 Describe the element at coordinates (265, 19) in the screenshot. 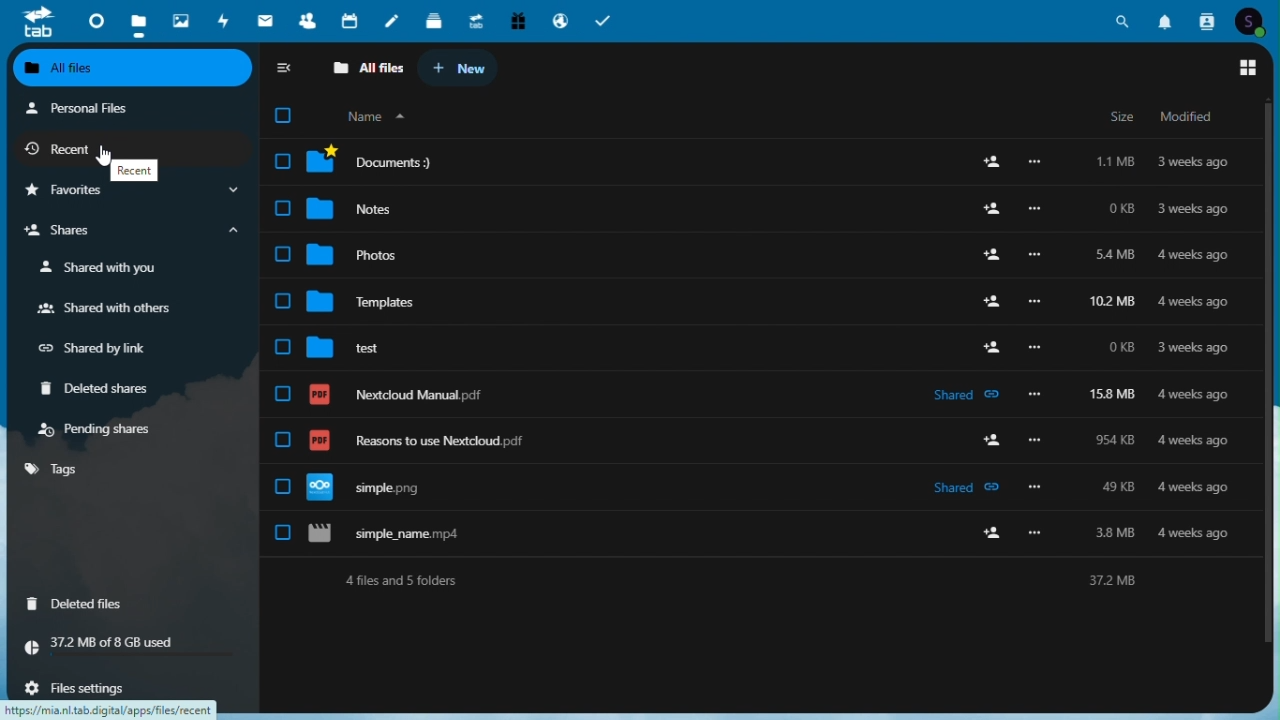

I see `mail` at that location.